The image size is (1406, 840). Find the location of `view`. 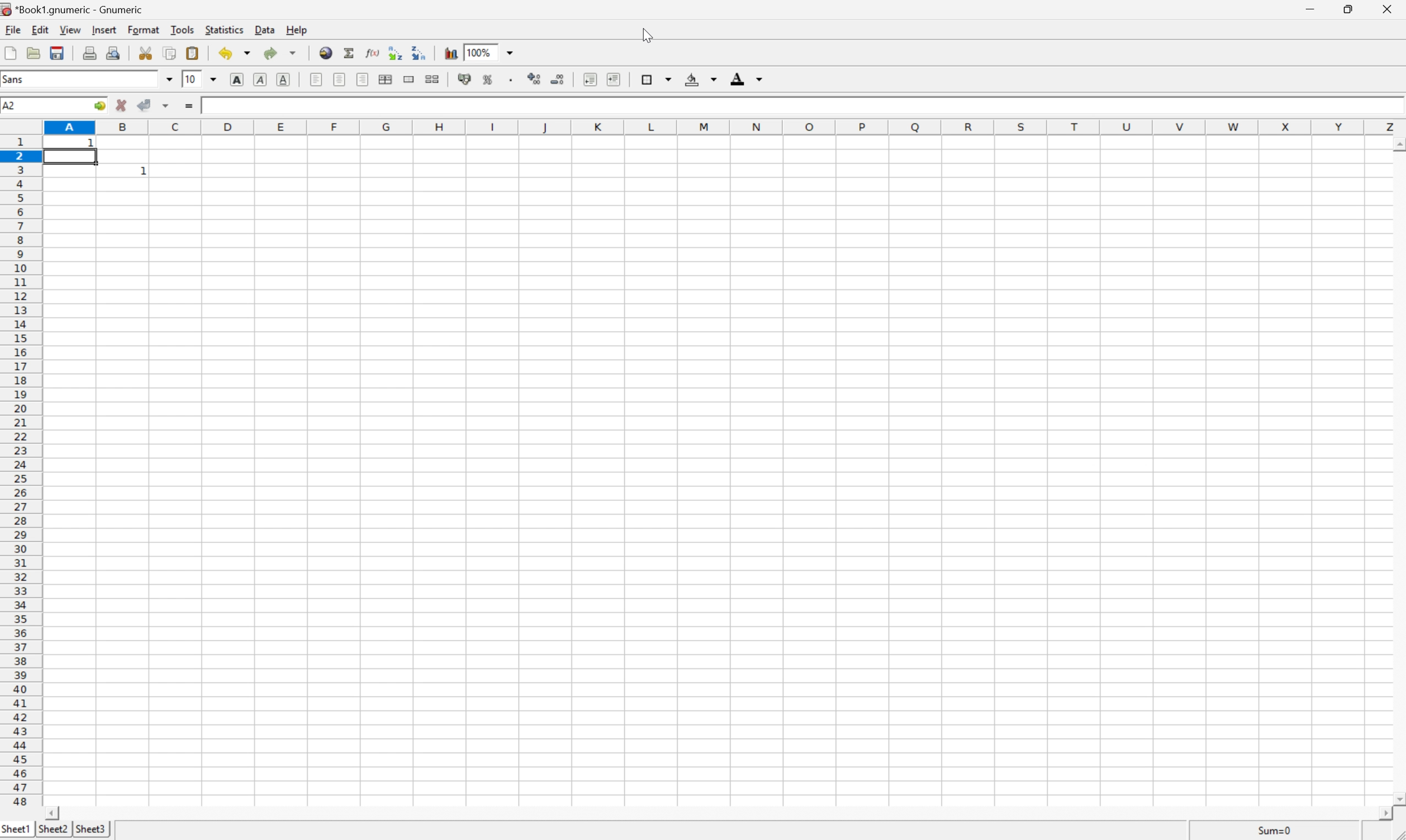

view is located at coordinates (69, 31).